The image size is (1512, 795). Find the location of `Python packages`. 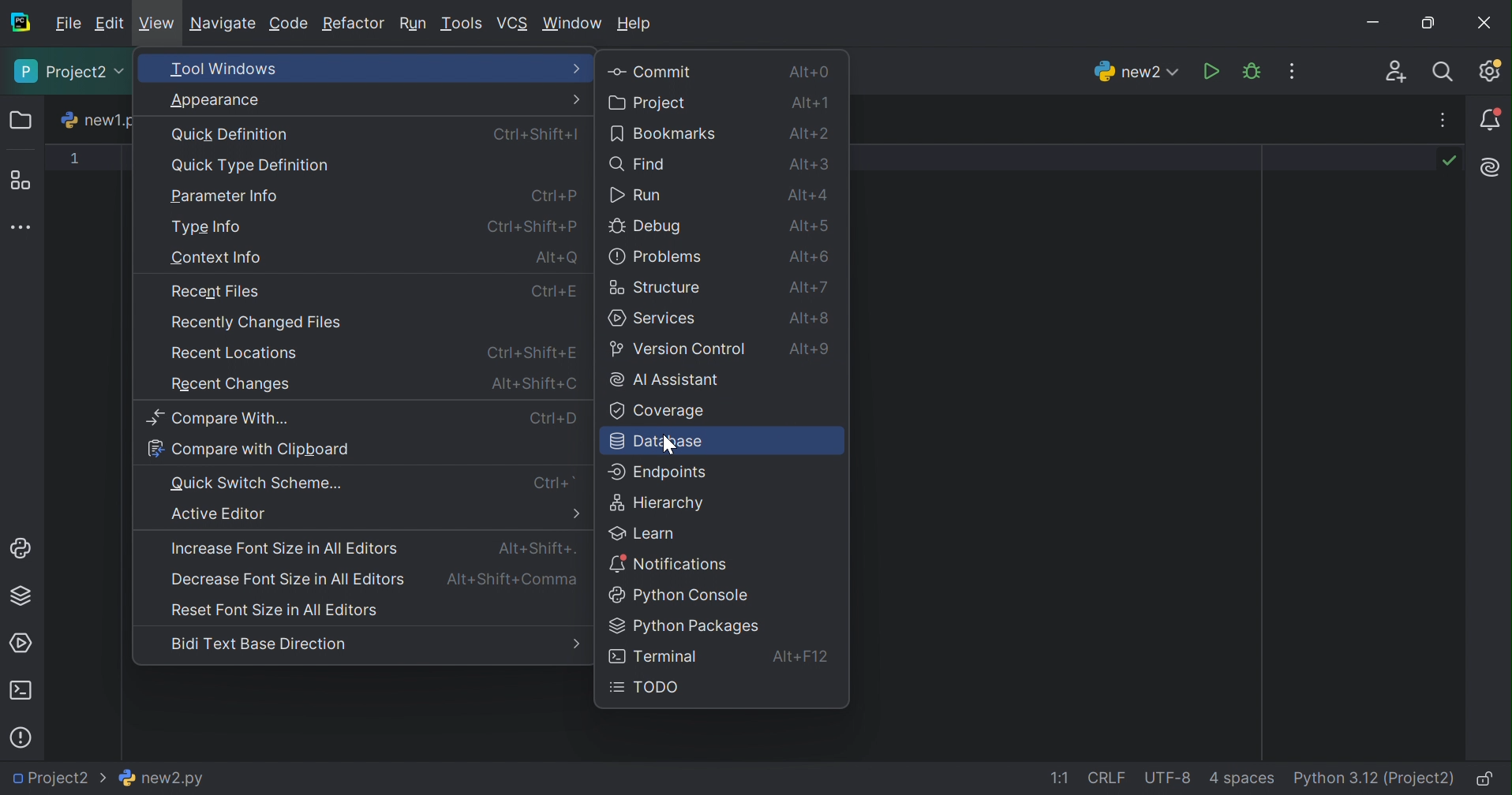

Python packages is located at coordinates (20, 595).